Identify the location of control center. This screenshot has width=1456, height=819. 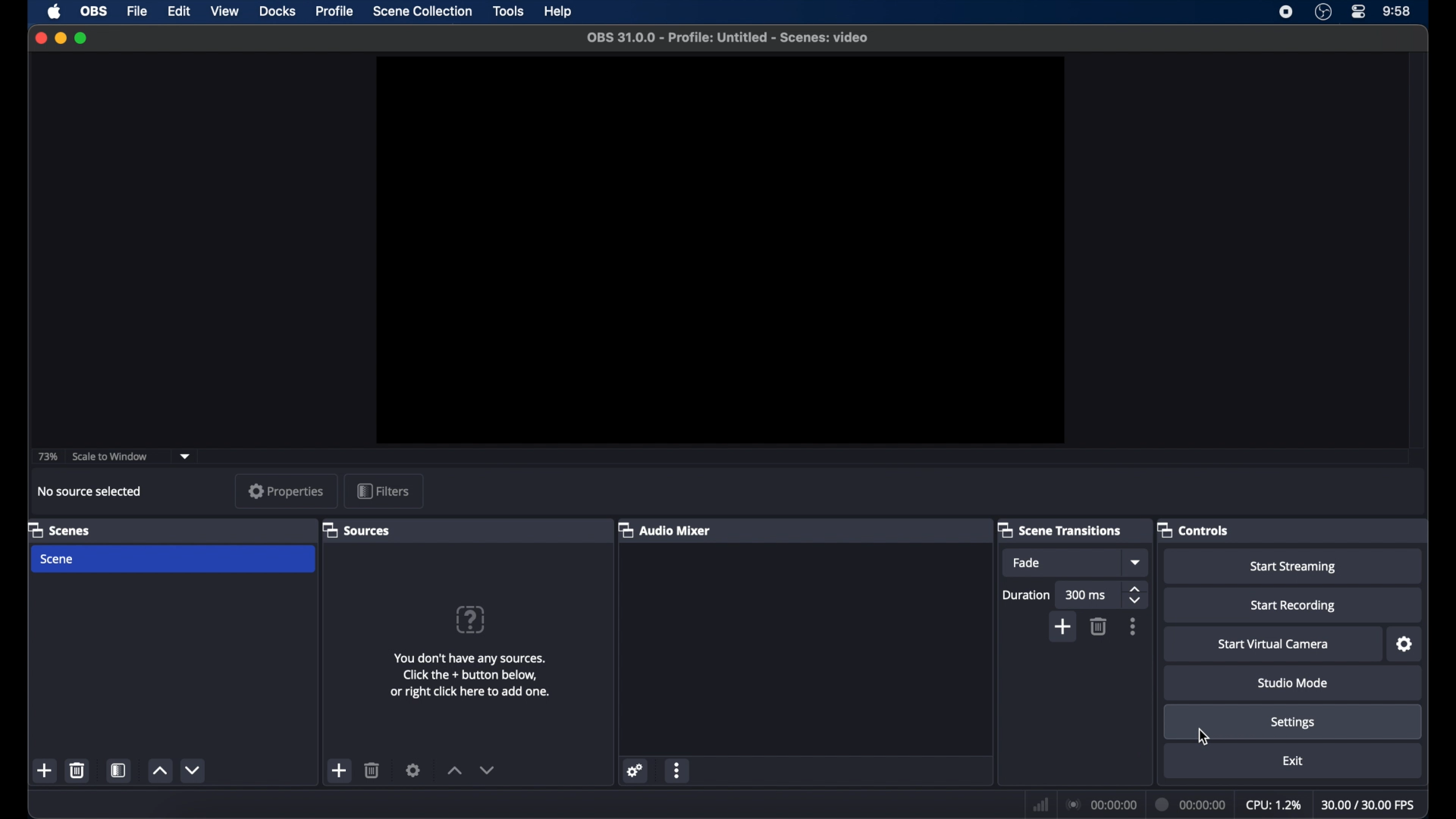
(1359, 12).